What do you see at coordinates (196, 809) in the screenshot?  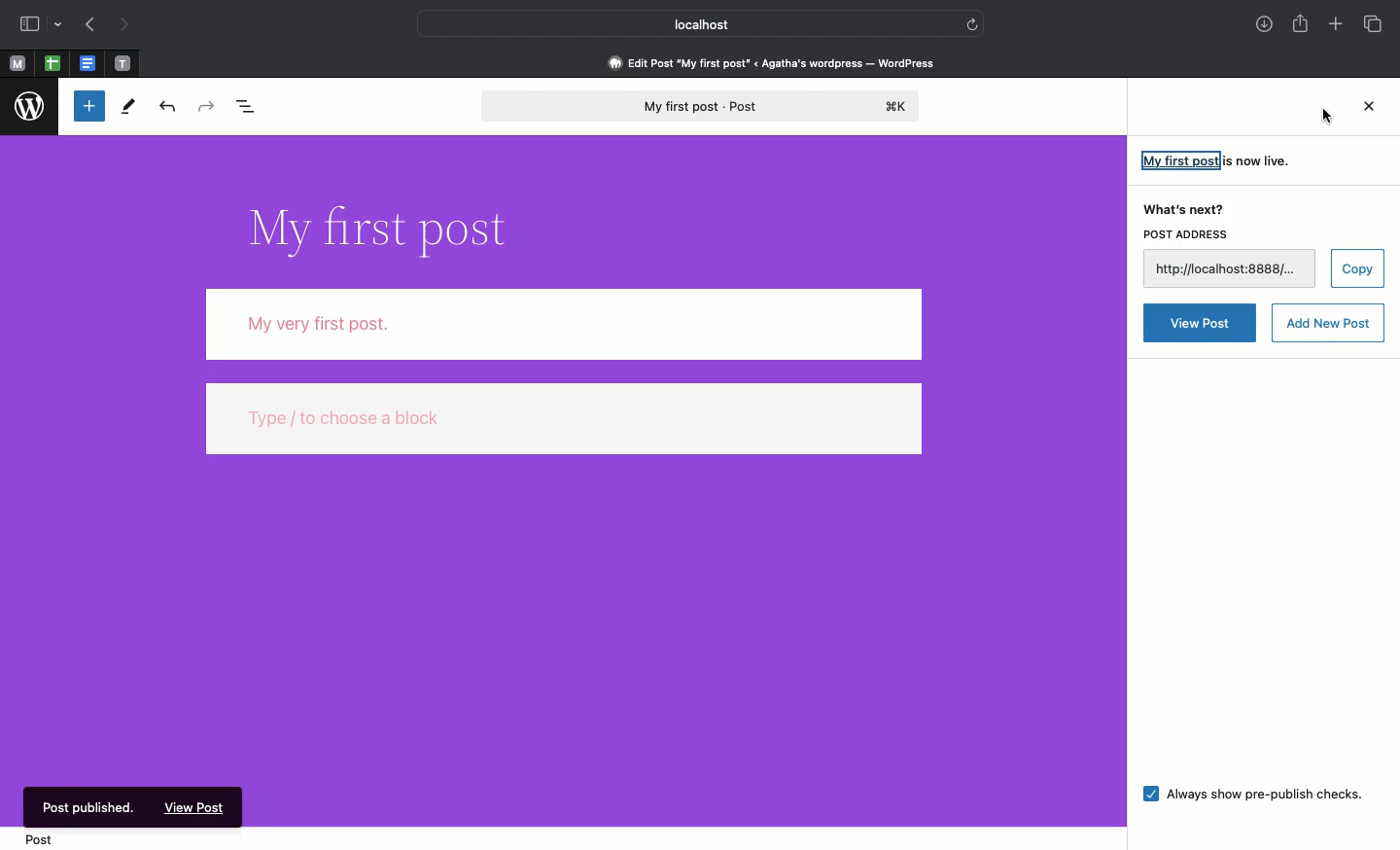 I see `view post` at bounding box center [196, 809].